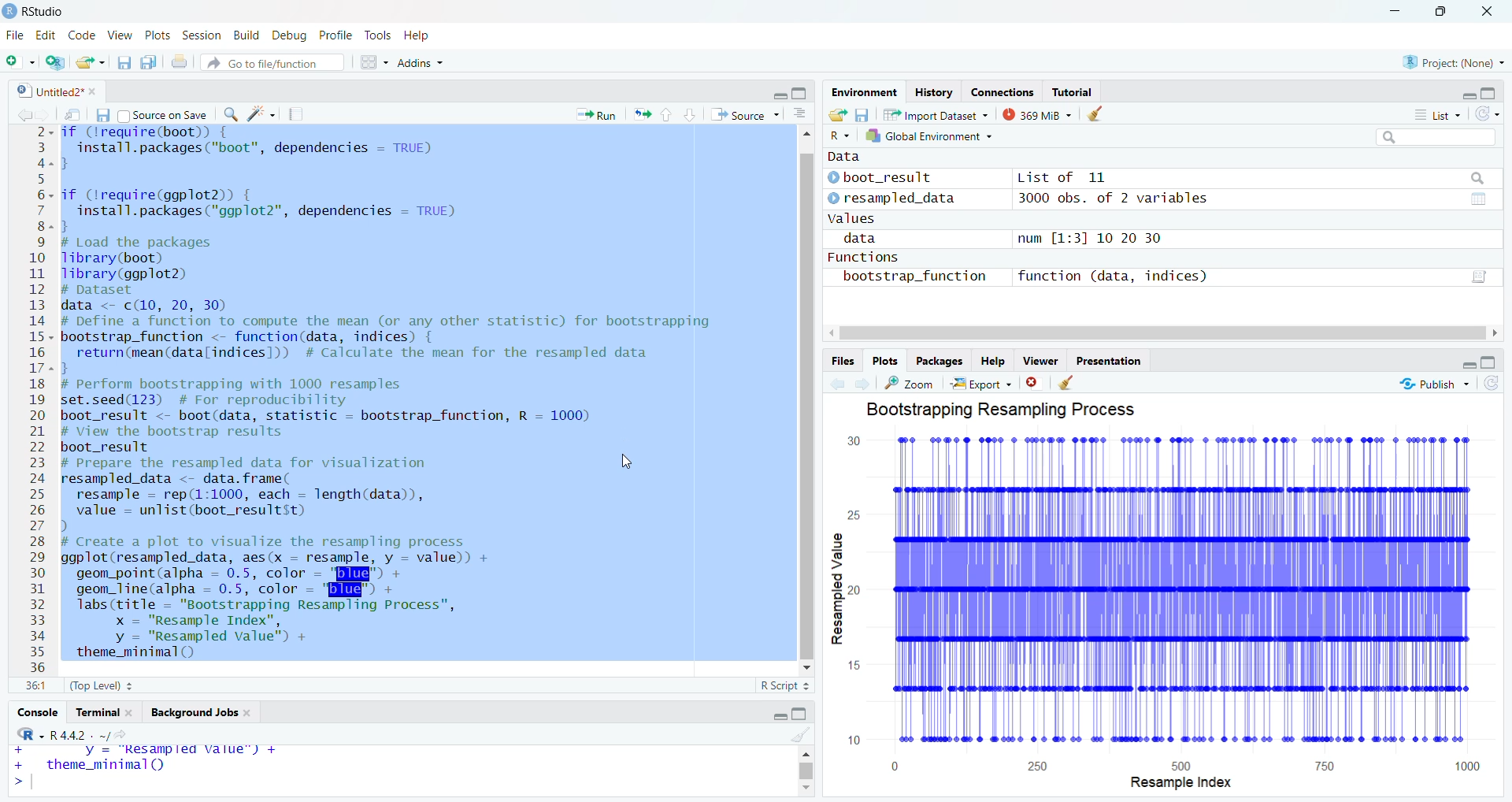  I want to click on y = "Resampled Value",theme_minimal()|, so click(157, 770).